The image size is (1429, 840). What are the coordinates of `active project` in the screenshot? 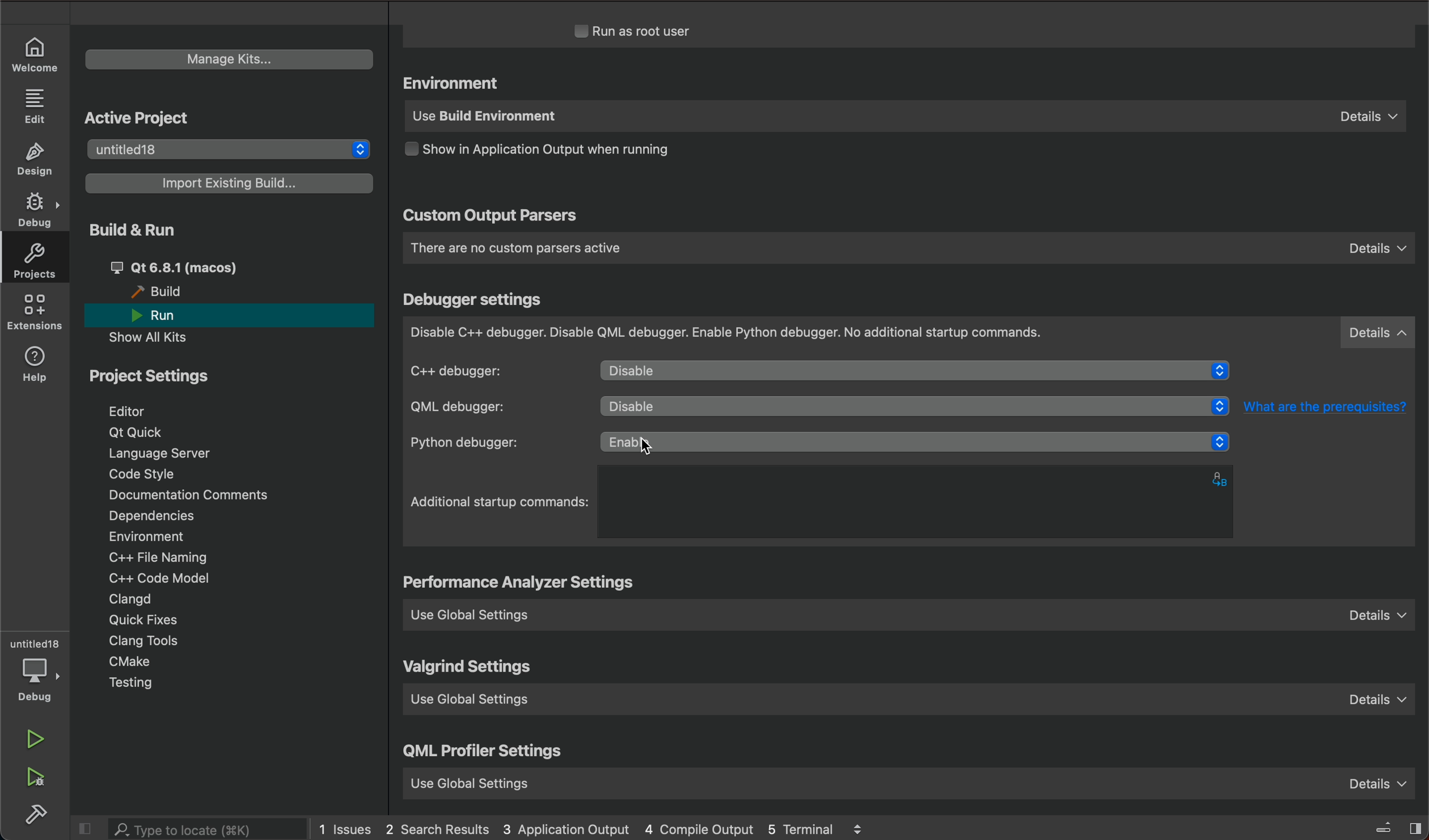 It's located at (137, 118).